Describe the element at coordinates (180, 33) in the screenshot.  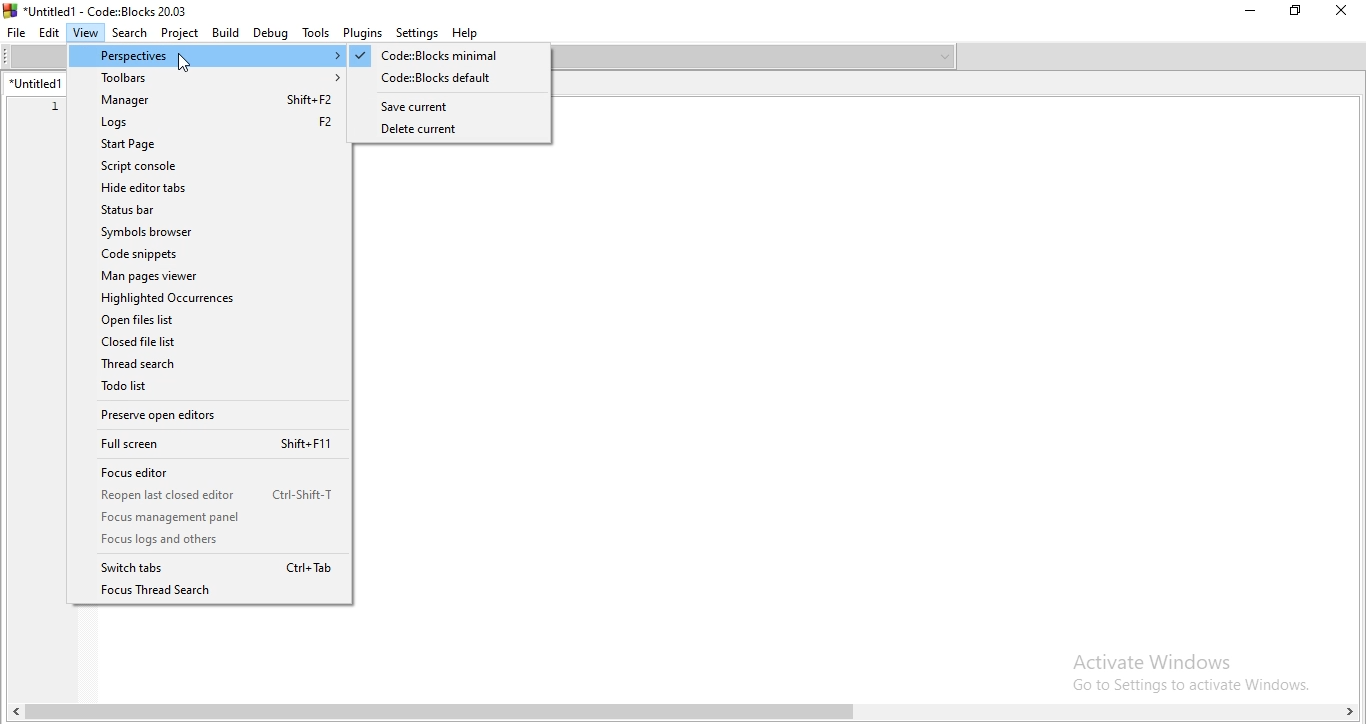
I see `Project ` at that location.